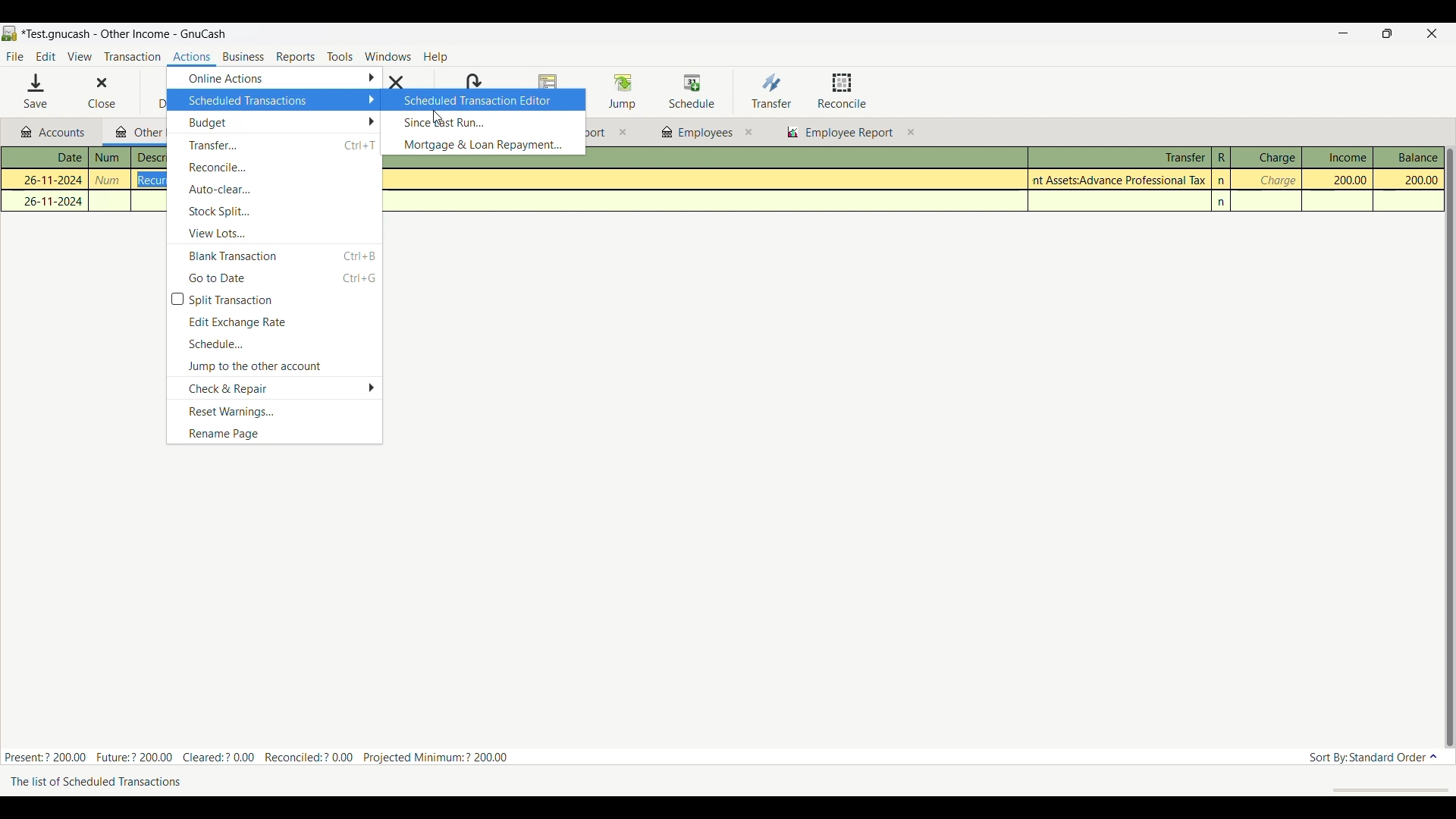  What do you see at coordinates (771, 90) in the screenshot?
I see `Transfer` at bounding box center [771, 90].